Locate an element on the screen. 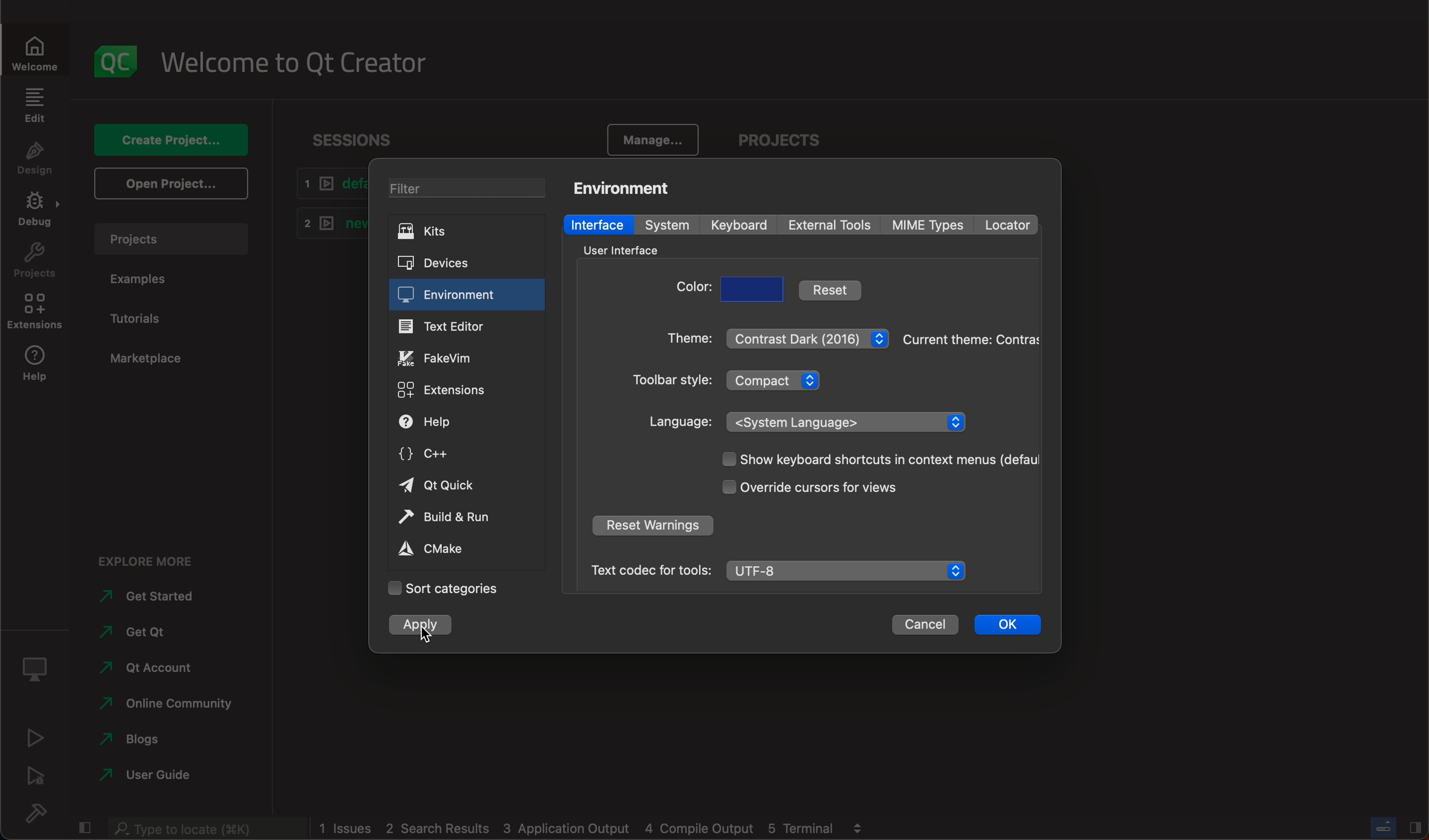  hide/show right side bar is located at coordinates (1415, 826).